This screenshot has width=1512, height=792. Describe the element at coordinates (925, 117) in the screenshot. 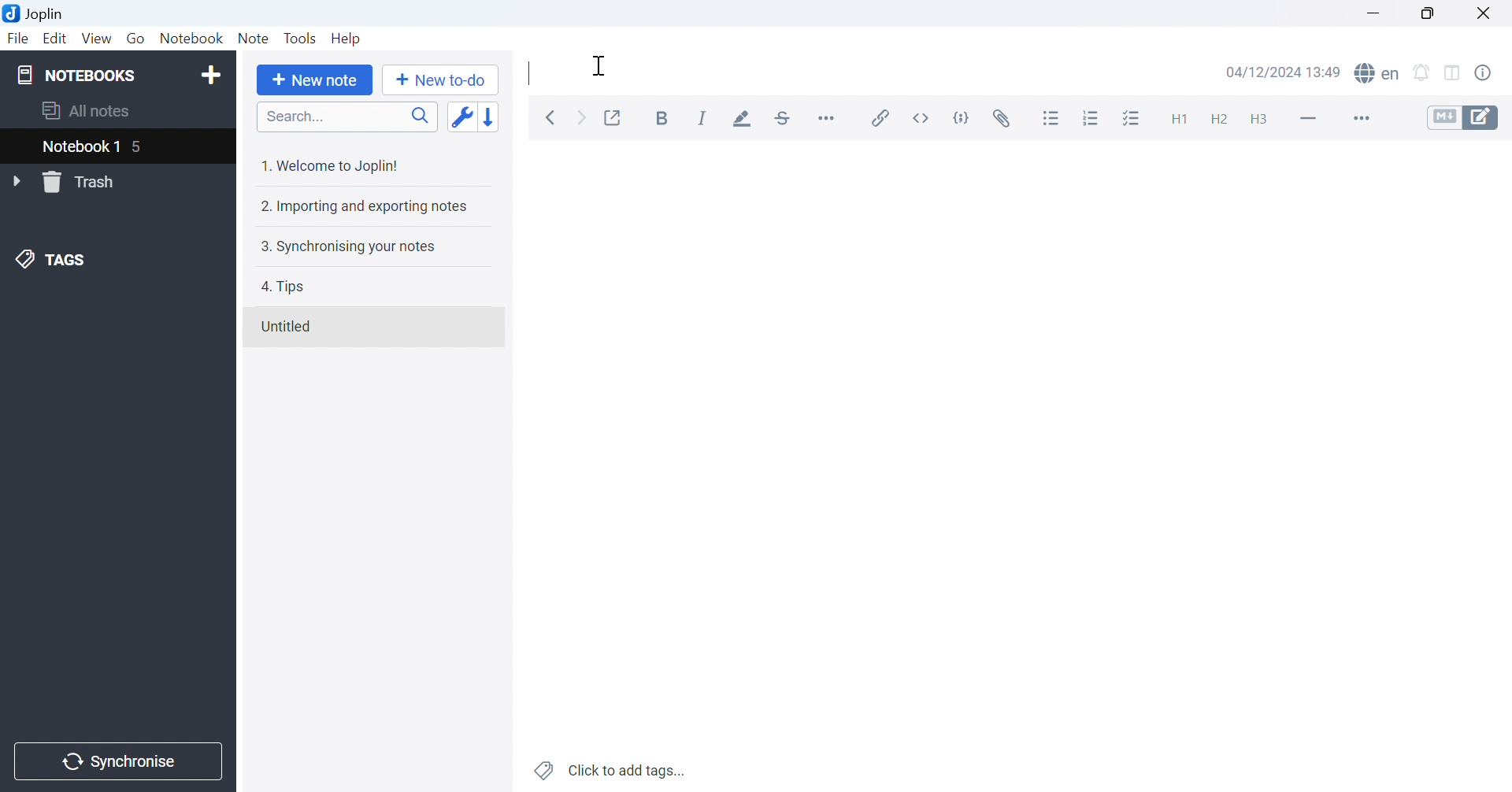

I see `Inline code` at that location.